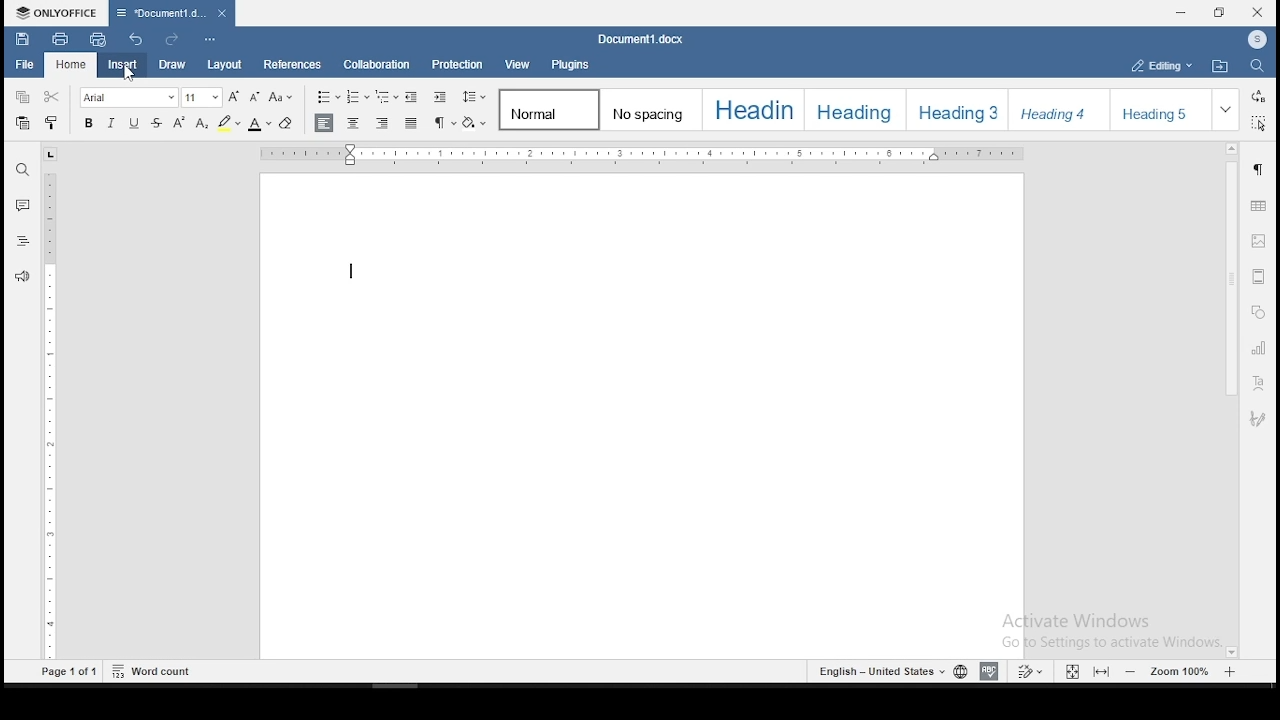 The height and width of the screenshot is (720, 1280). Describe the element at coordinates (459, 64) in the screenshot. I see `protection` at that location.